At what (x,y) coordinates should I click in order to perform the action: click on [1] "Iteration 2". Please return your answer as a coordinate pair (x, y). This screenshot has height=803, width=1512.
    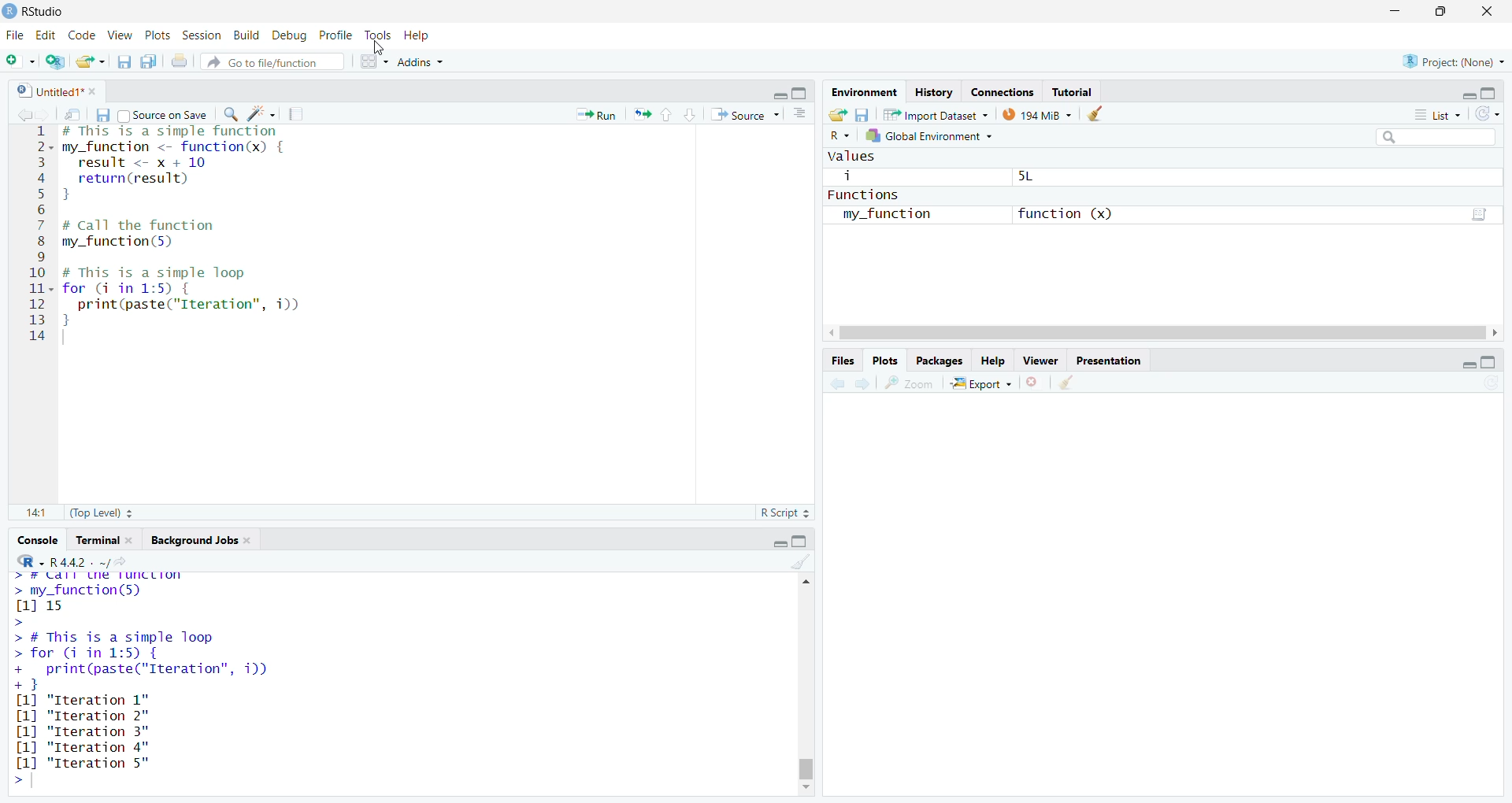
    Looking at the image, I should click on (86, 716).